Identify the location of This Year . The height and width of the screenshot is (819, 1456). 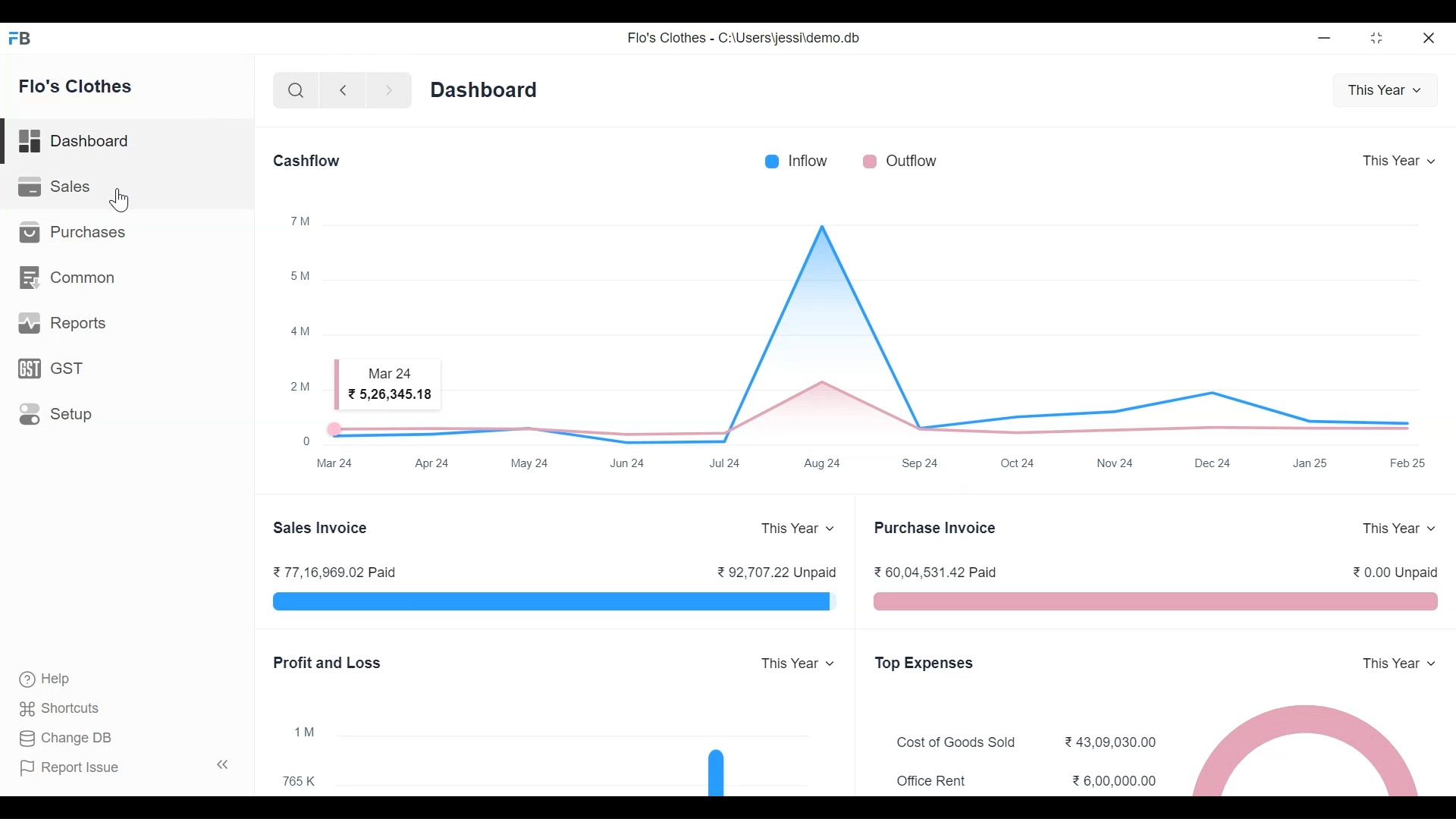
(1402, 665).